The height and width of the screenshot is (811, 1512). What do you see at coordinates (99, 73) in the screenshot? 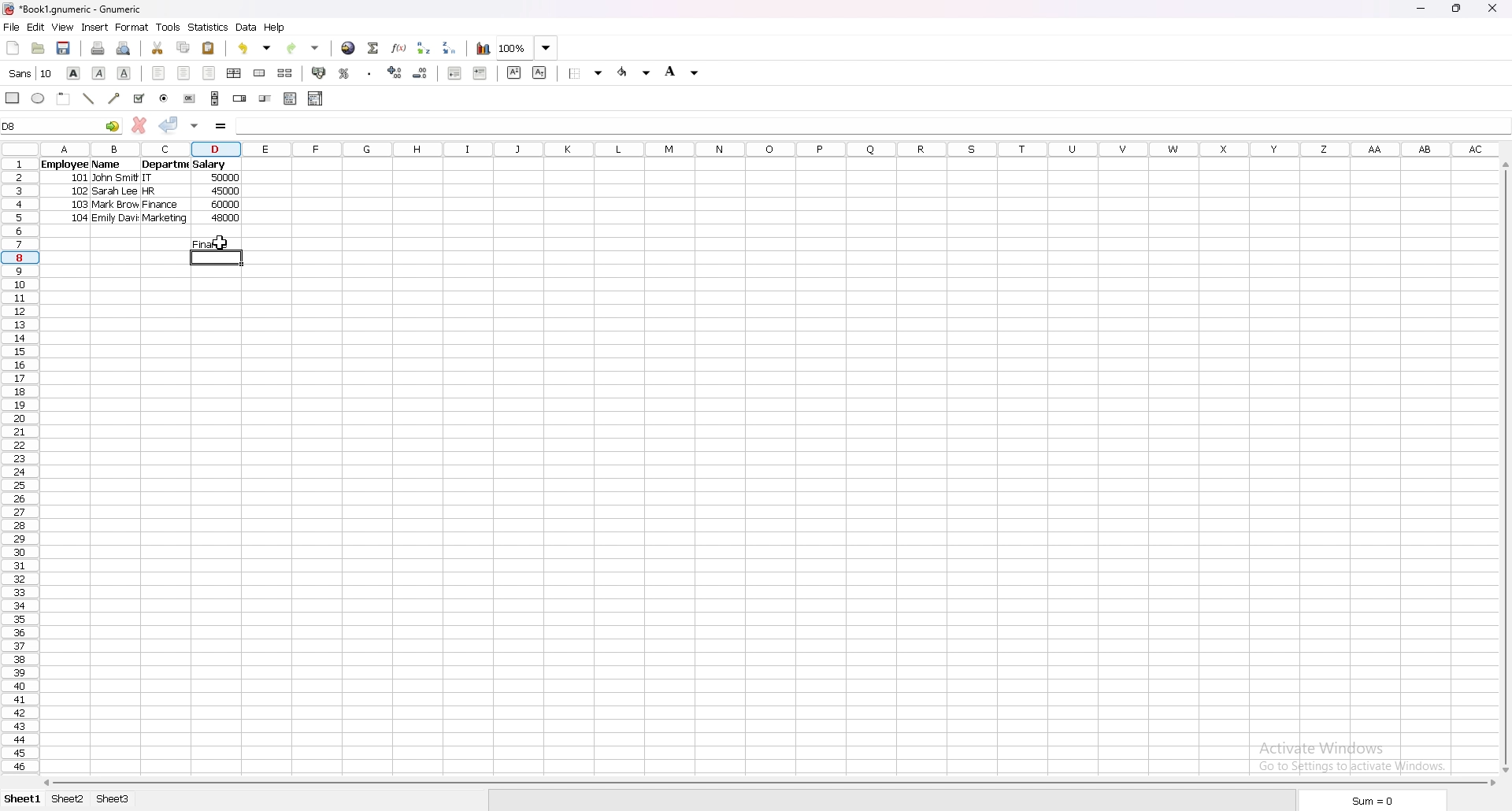
I see `italic` at bounding box center [99, 73].